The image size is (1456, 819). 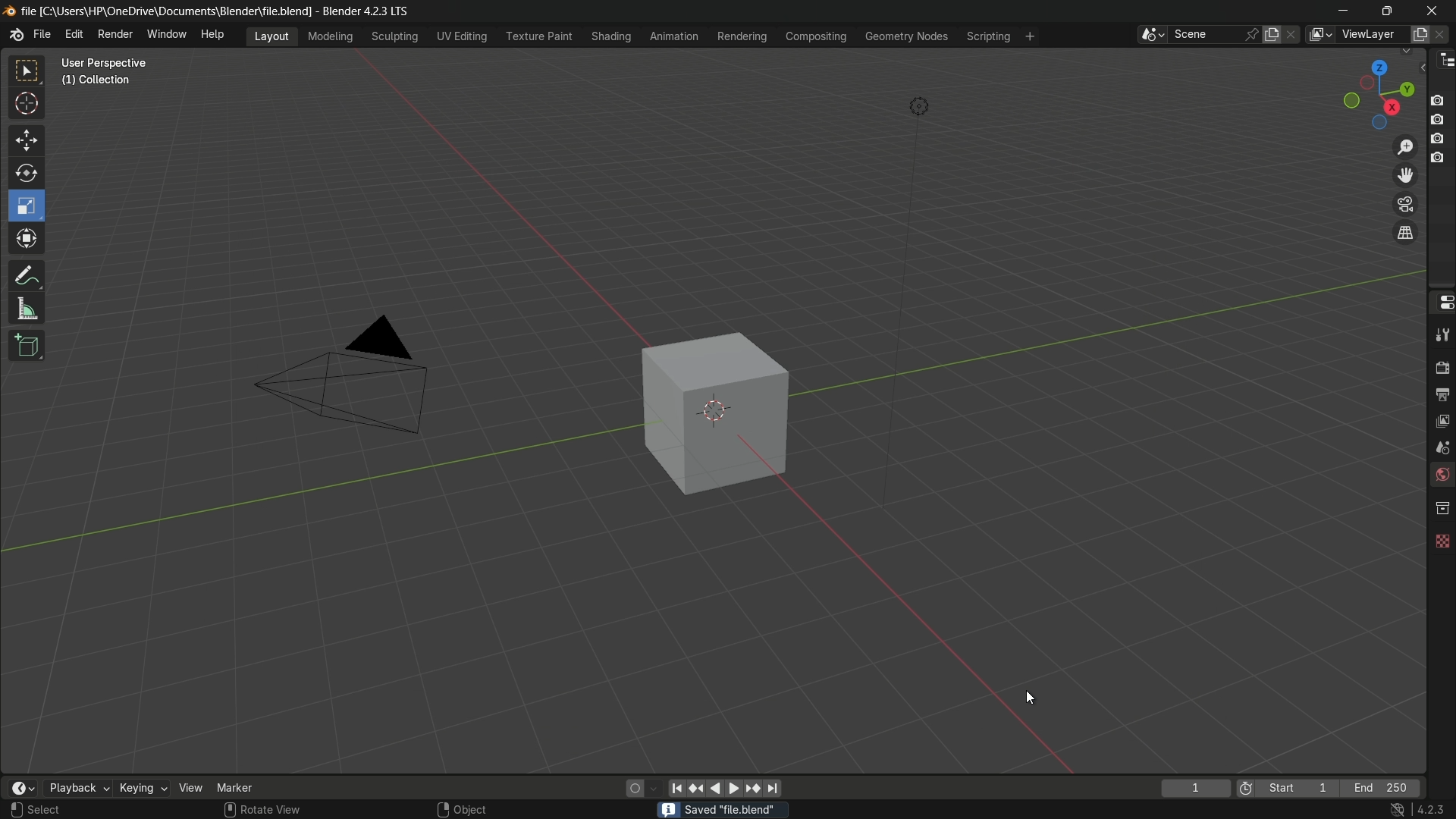 I want to click on current frame, so click(x=1194, y=788).